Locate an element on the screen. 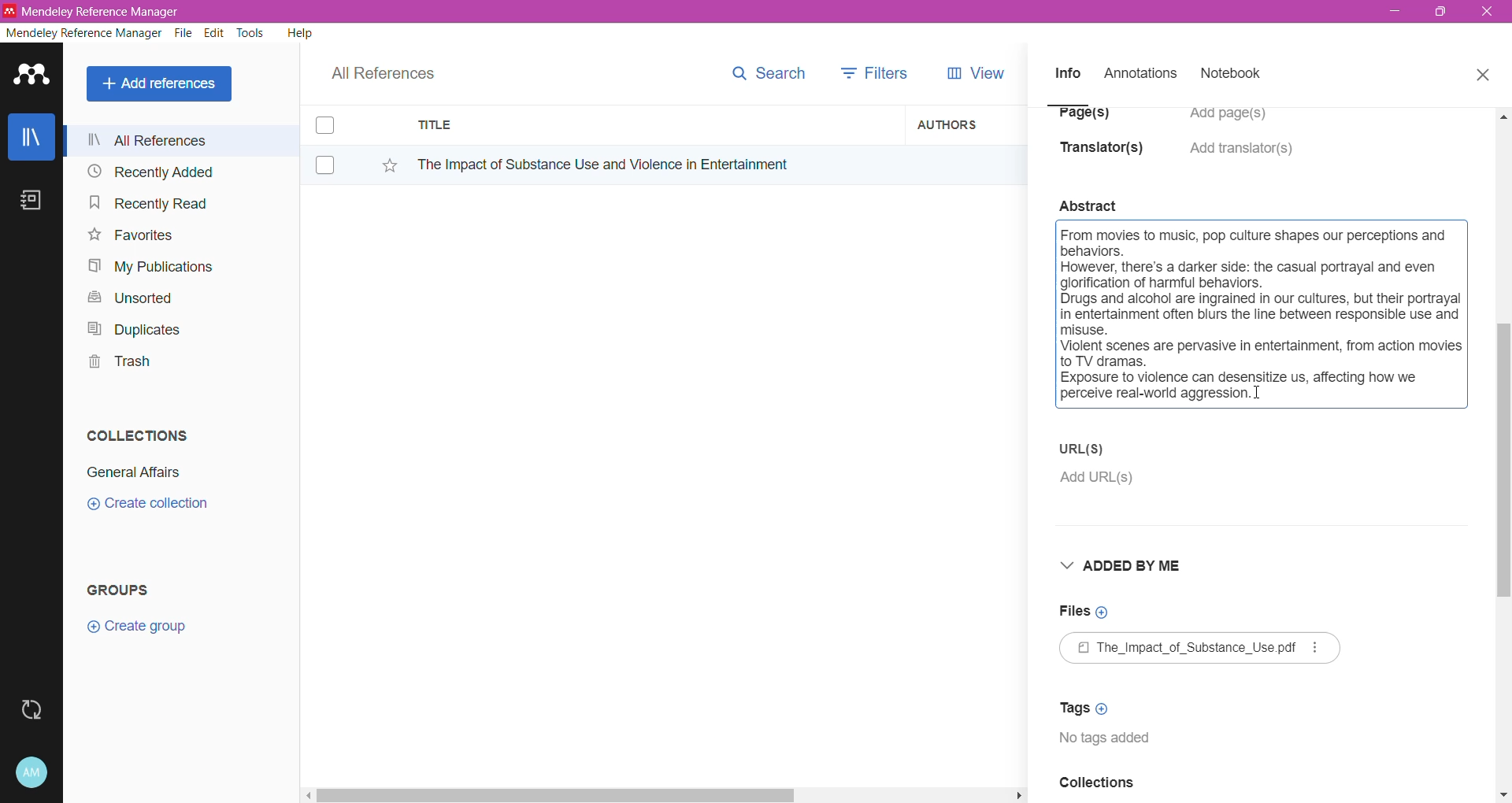 The width and height of the screenshot is (1512, 803). Unsorted is located at coordinates (128, 297).